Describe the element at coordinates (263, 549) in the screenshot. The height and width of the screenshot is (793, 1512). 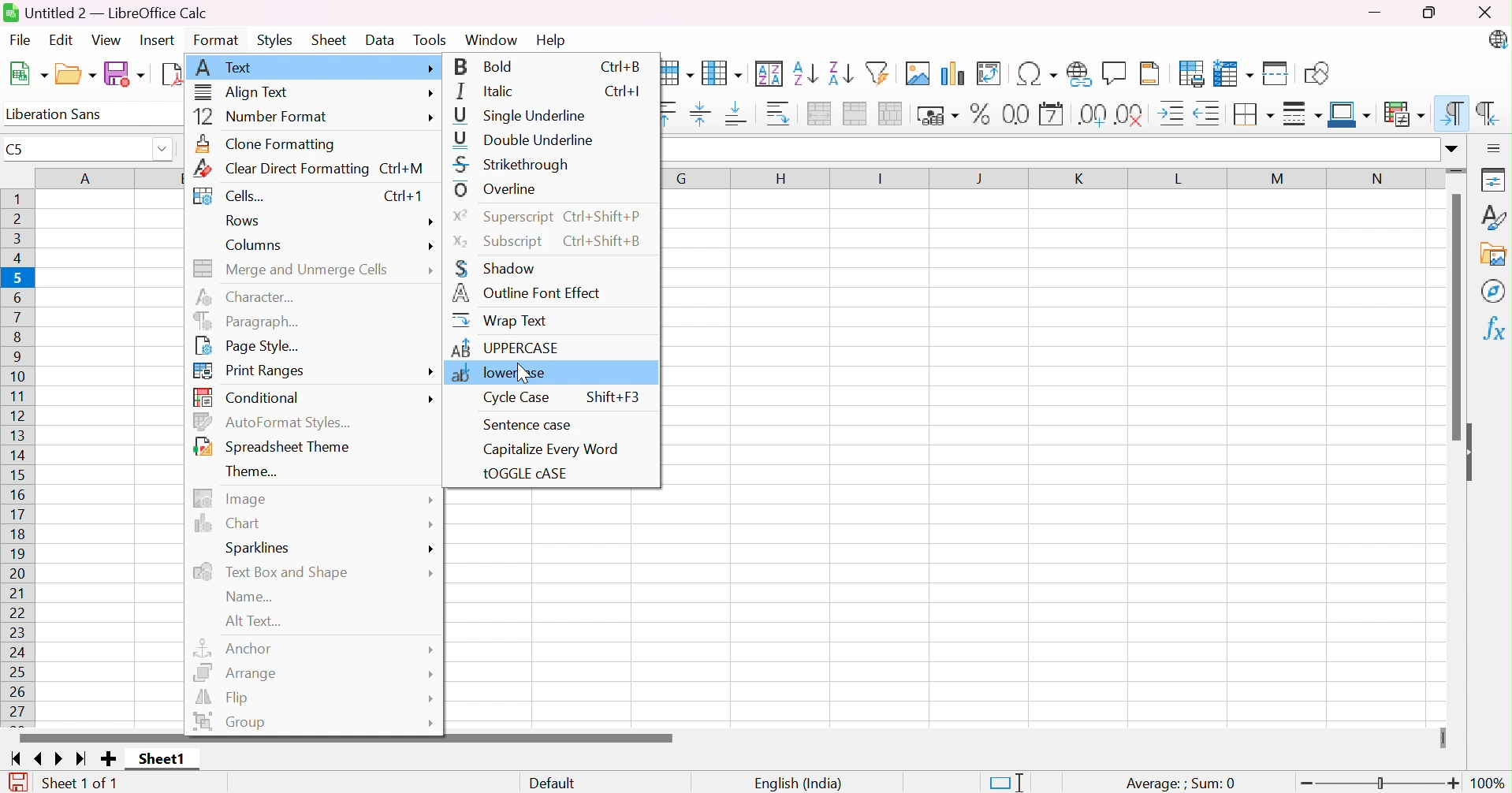
I see `Sparlines` at that location.